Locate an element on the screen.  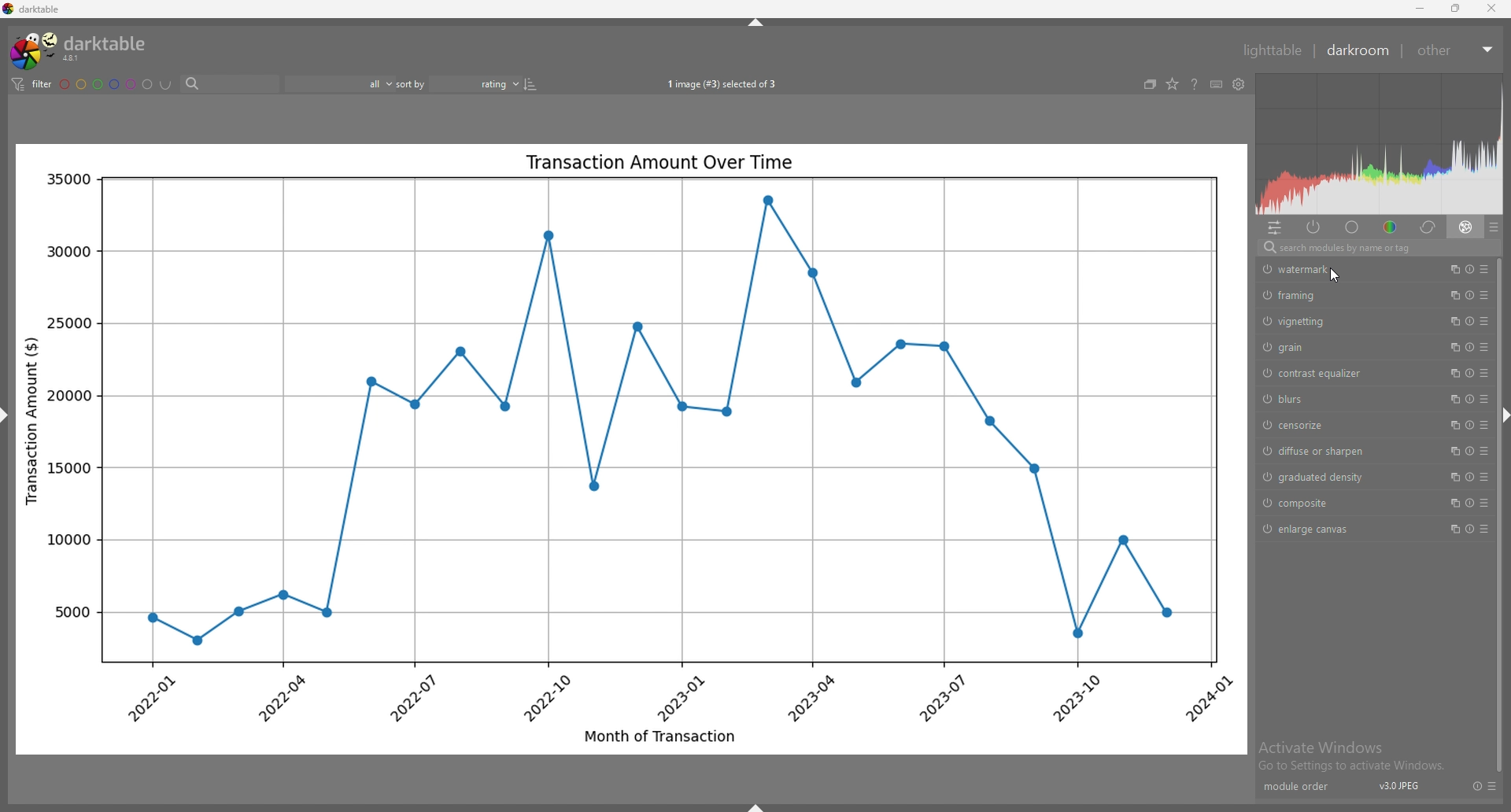
create grouped images is located at coordinates (1151, 84).